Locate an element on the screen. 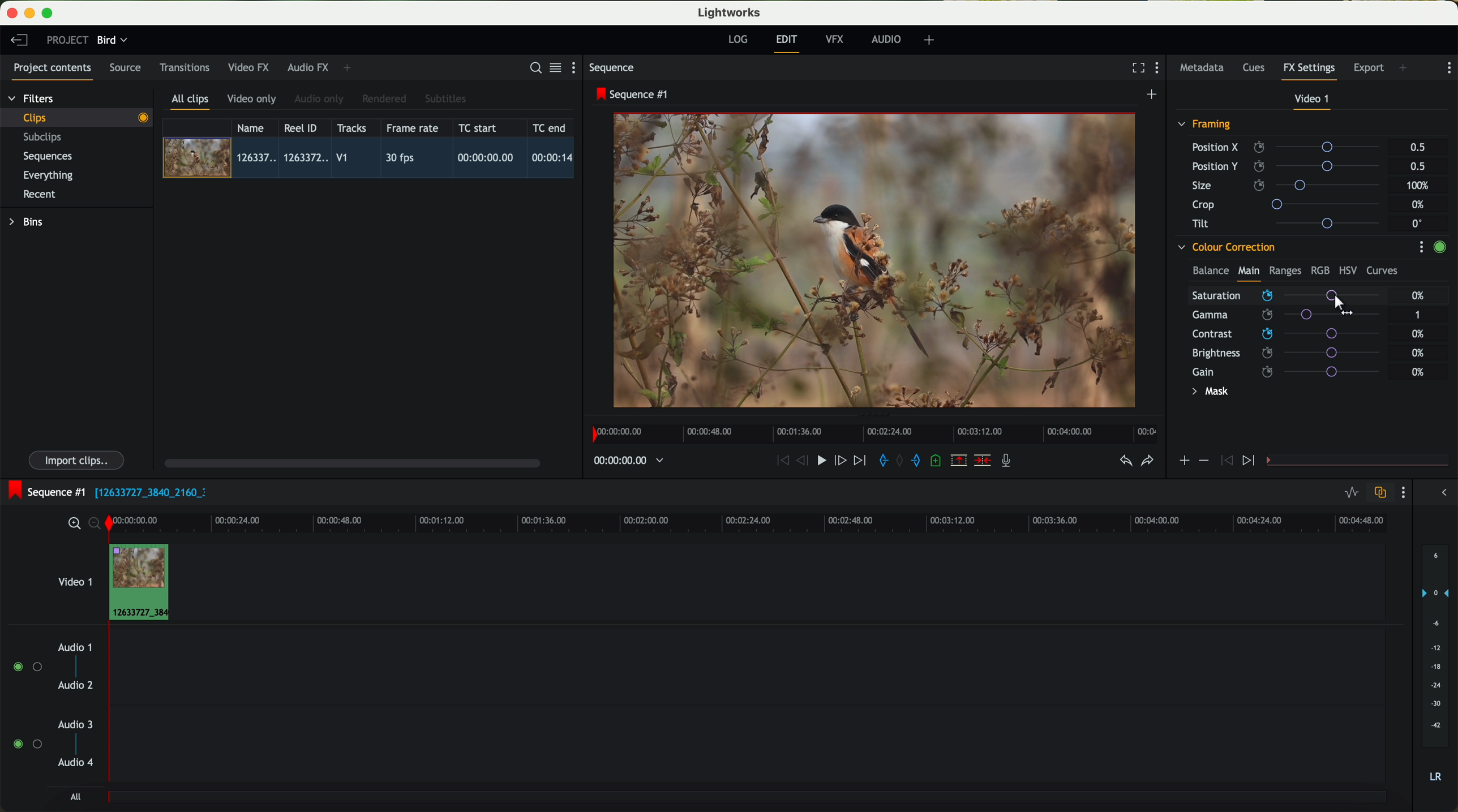  bins is located at coordinates (28, 222).